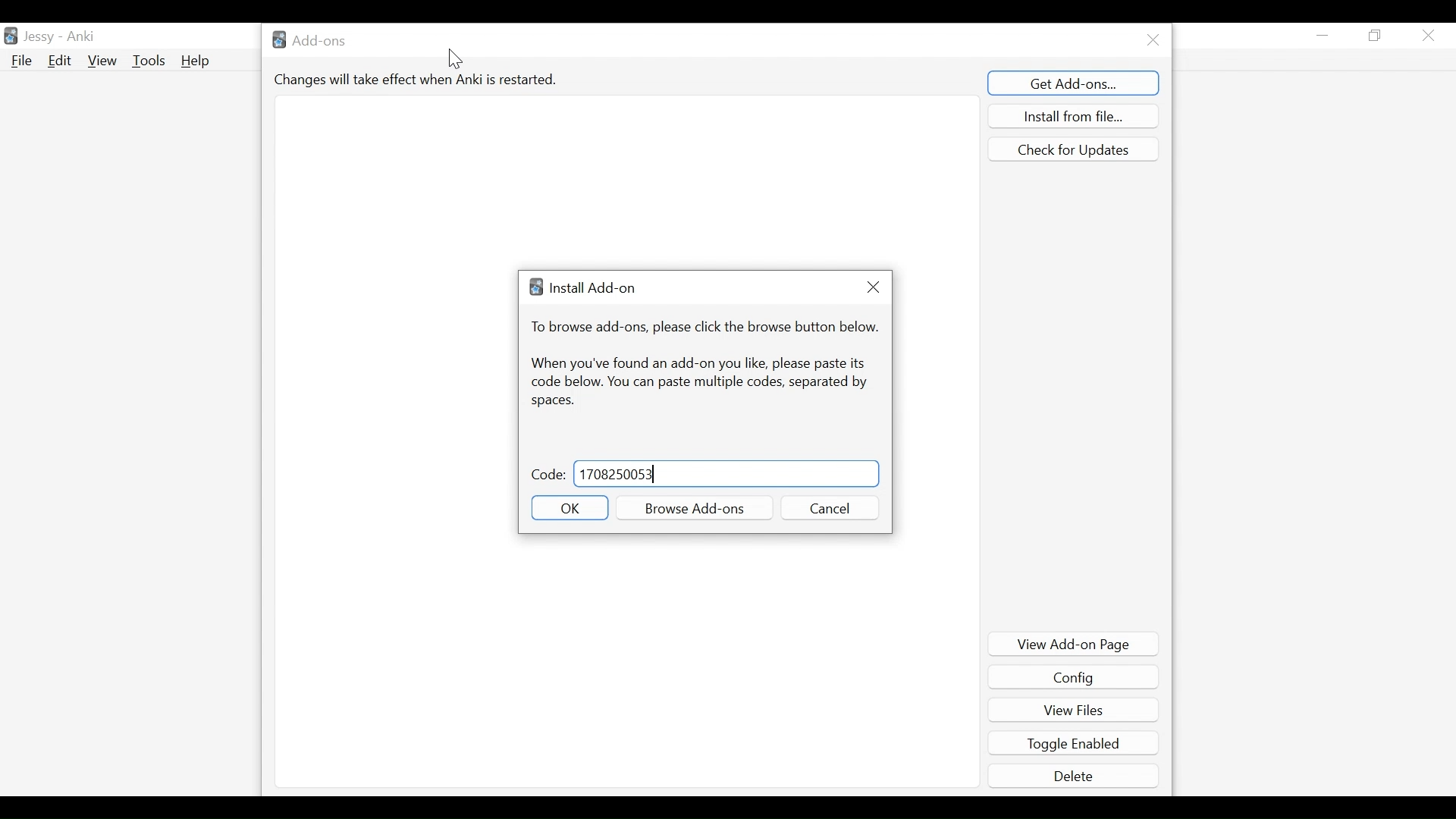  I want to click on Close, so click(872, 287).